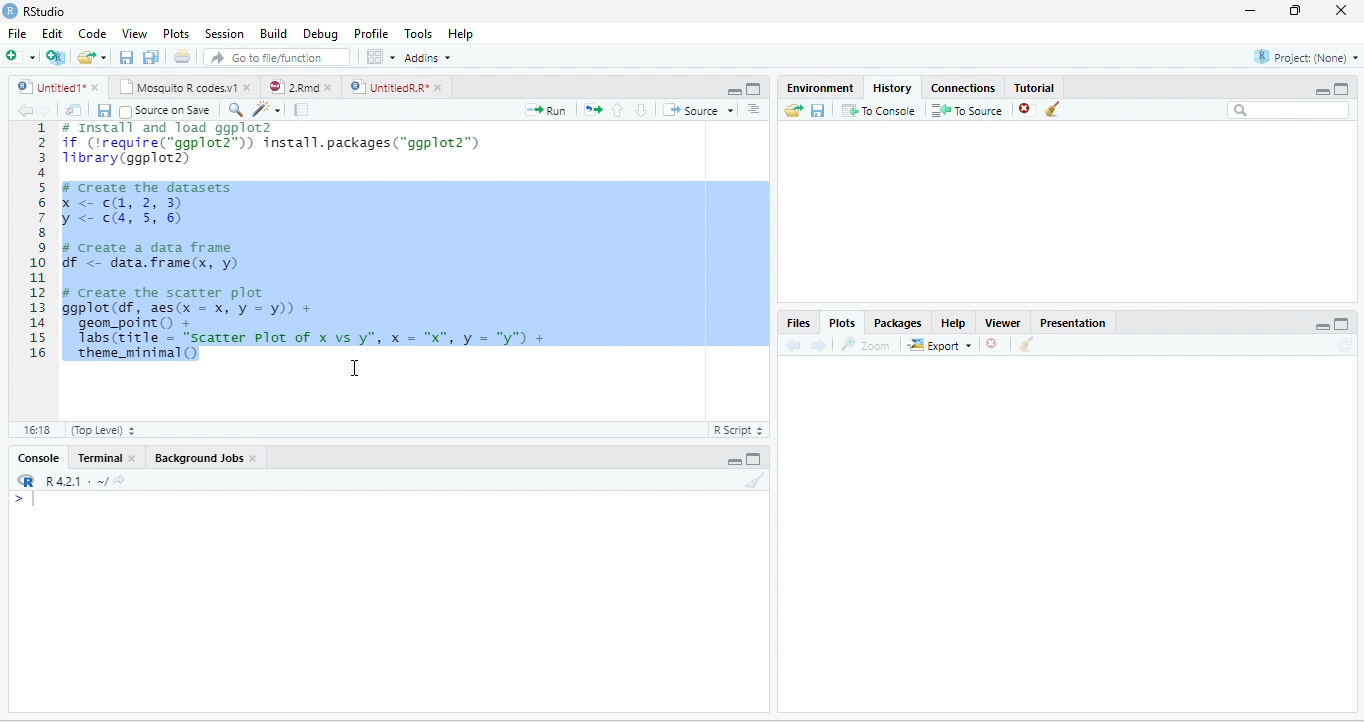 The width and height of the screenshot is (1364, 722). What do you see at coordinates (438, 87) in the screenshot?
I see `close` at bounding box center [438, 87].